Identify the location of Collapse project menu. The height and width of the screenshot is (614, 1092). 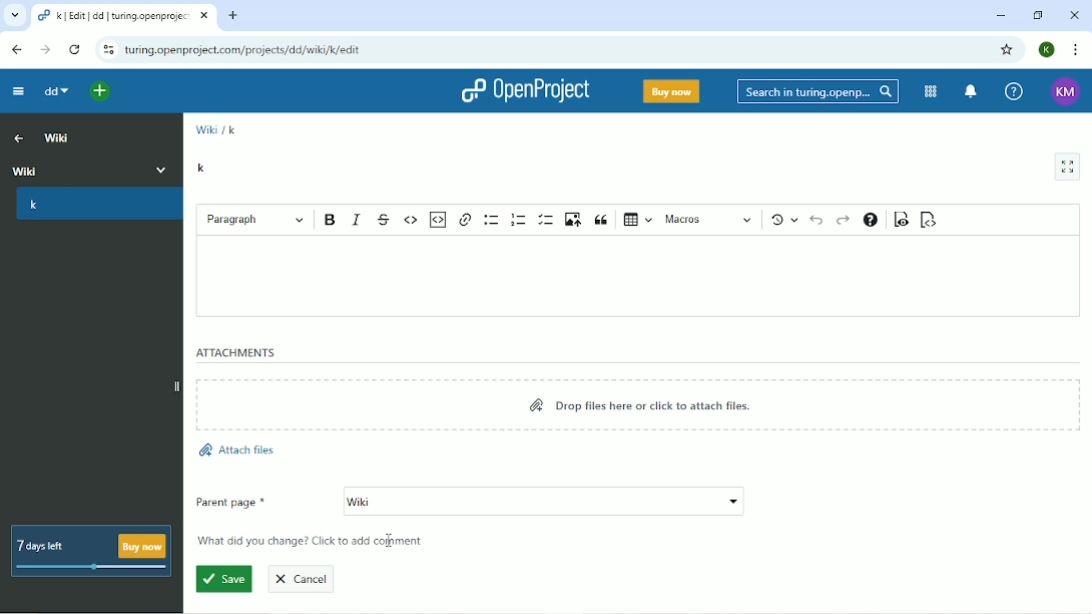
(18, 91).